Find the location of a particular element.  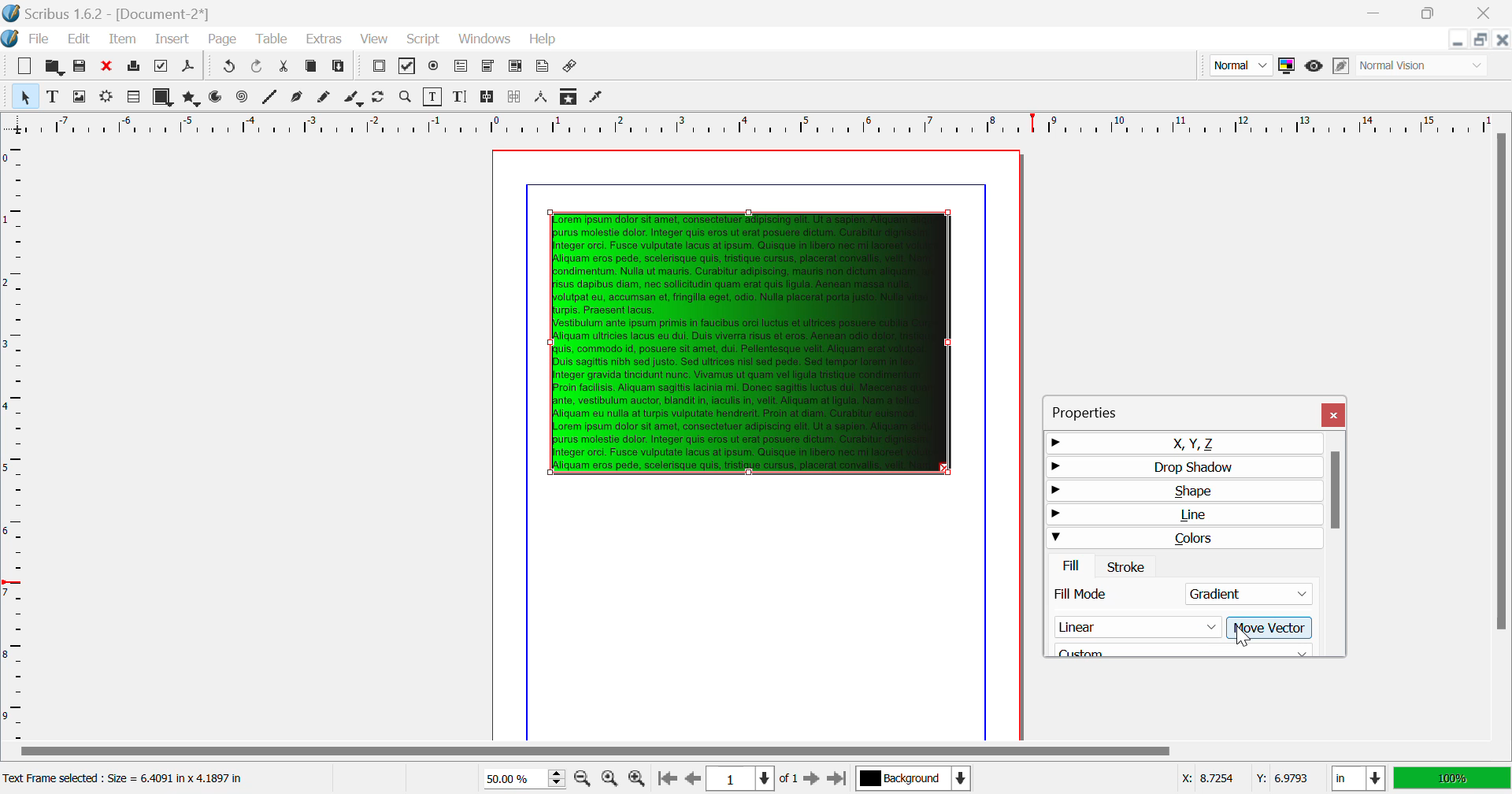

Page 1 of 1 is located at coordinates (750, 778).